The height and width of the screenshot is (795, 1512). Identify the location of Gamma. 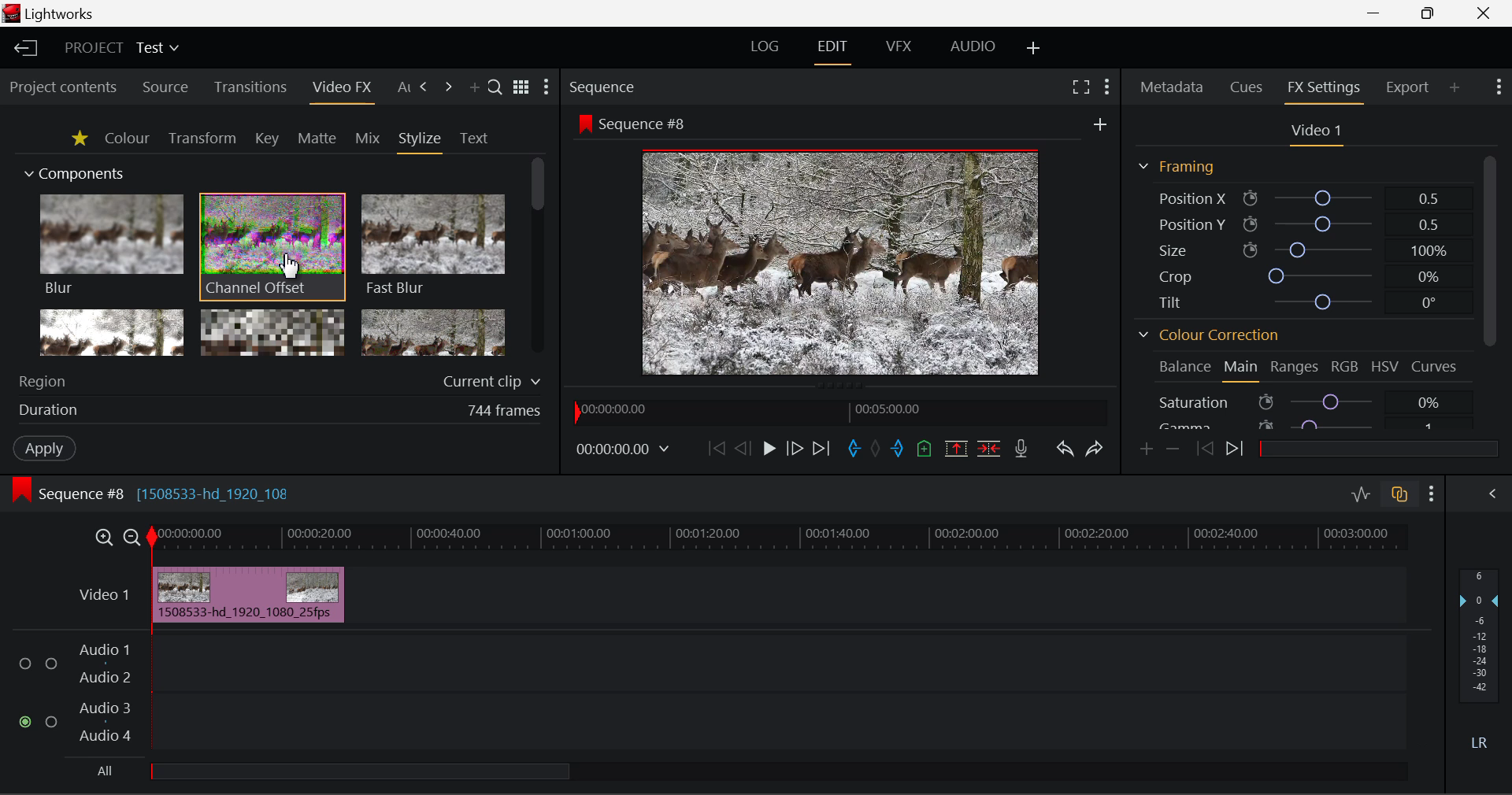
(1299, 425).